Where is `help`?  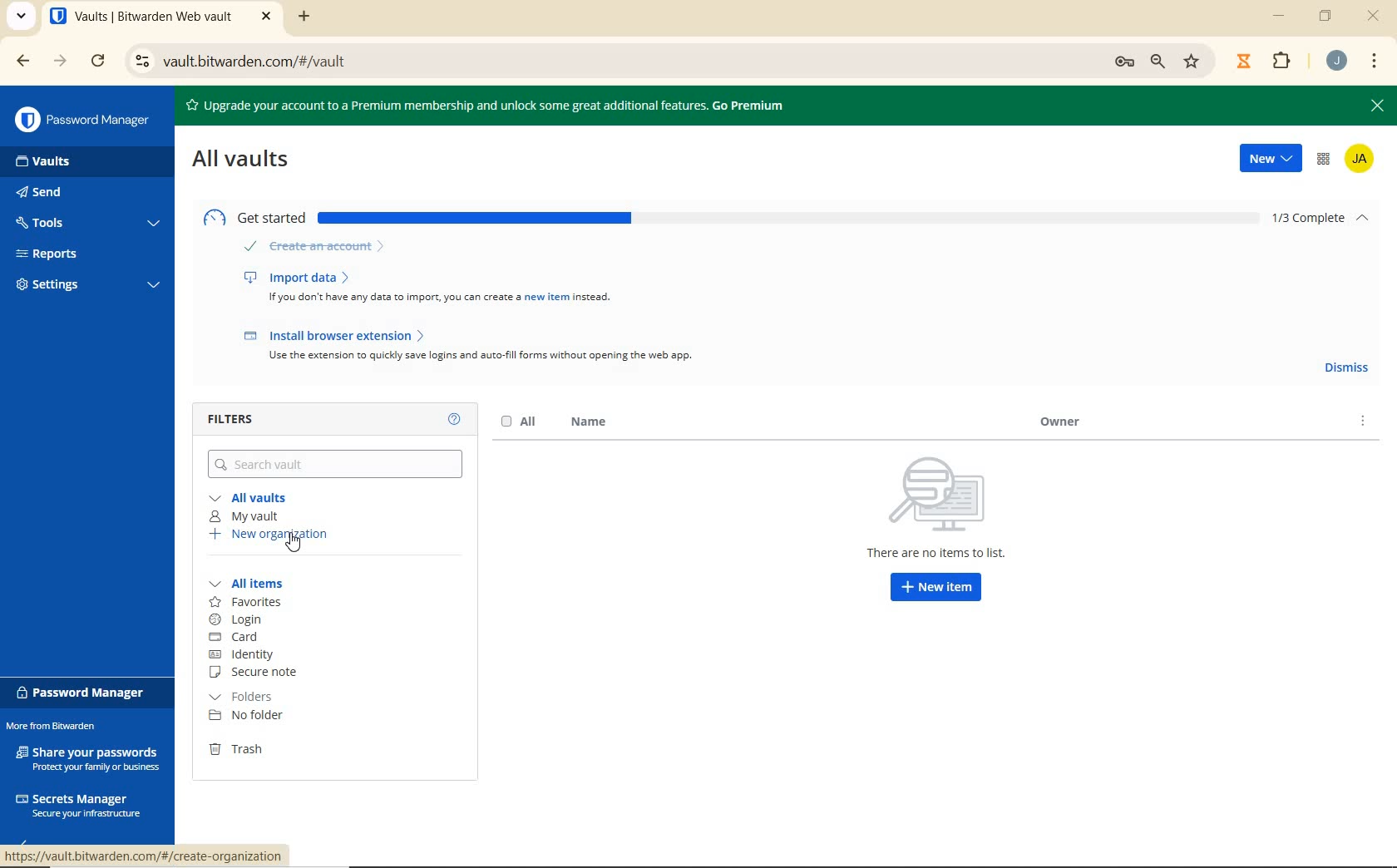
help is located at coordinates (455, 419).